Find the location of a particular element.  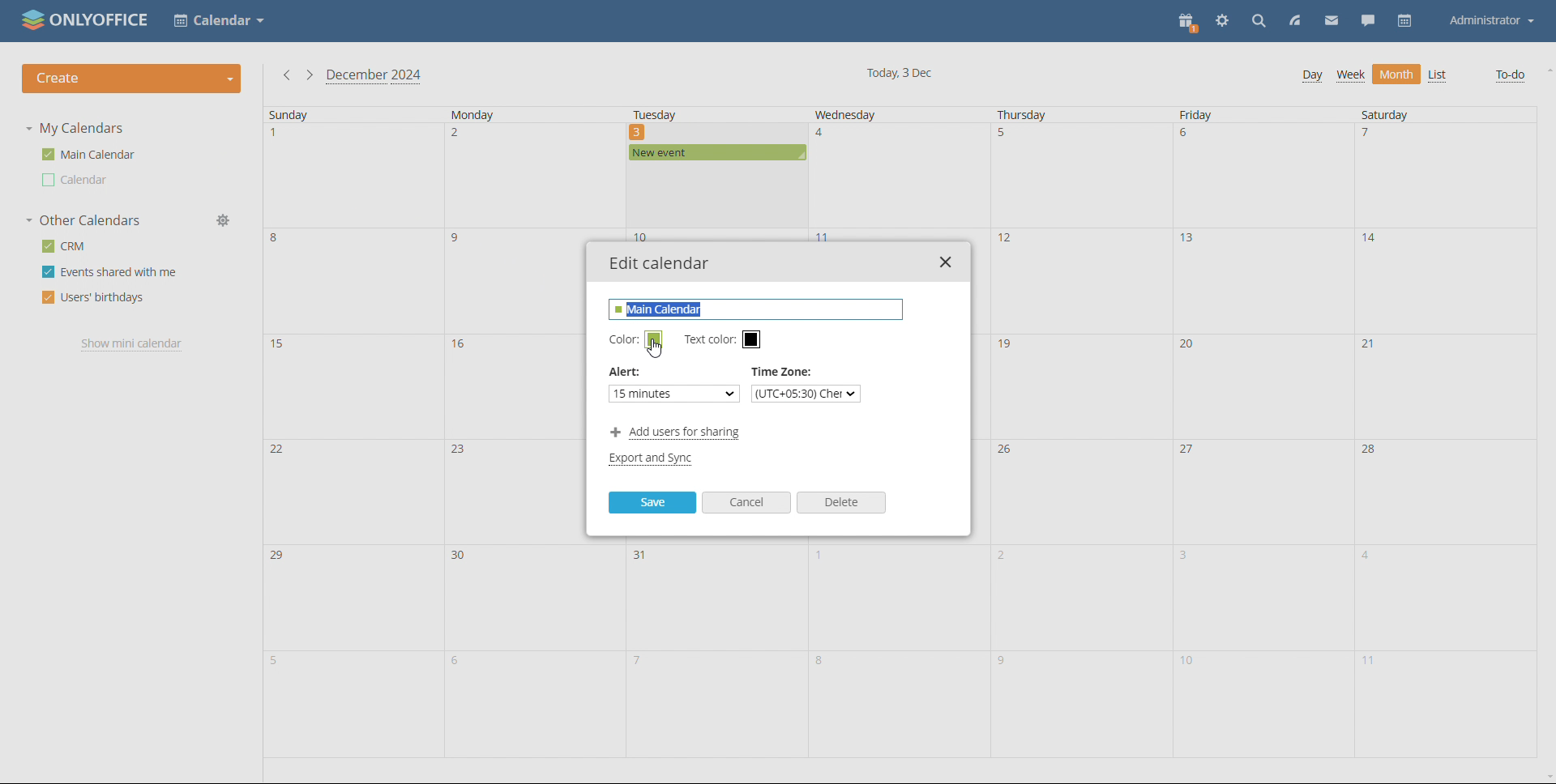

manage is located at coordinates (227, 220).